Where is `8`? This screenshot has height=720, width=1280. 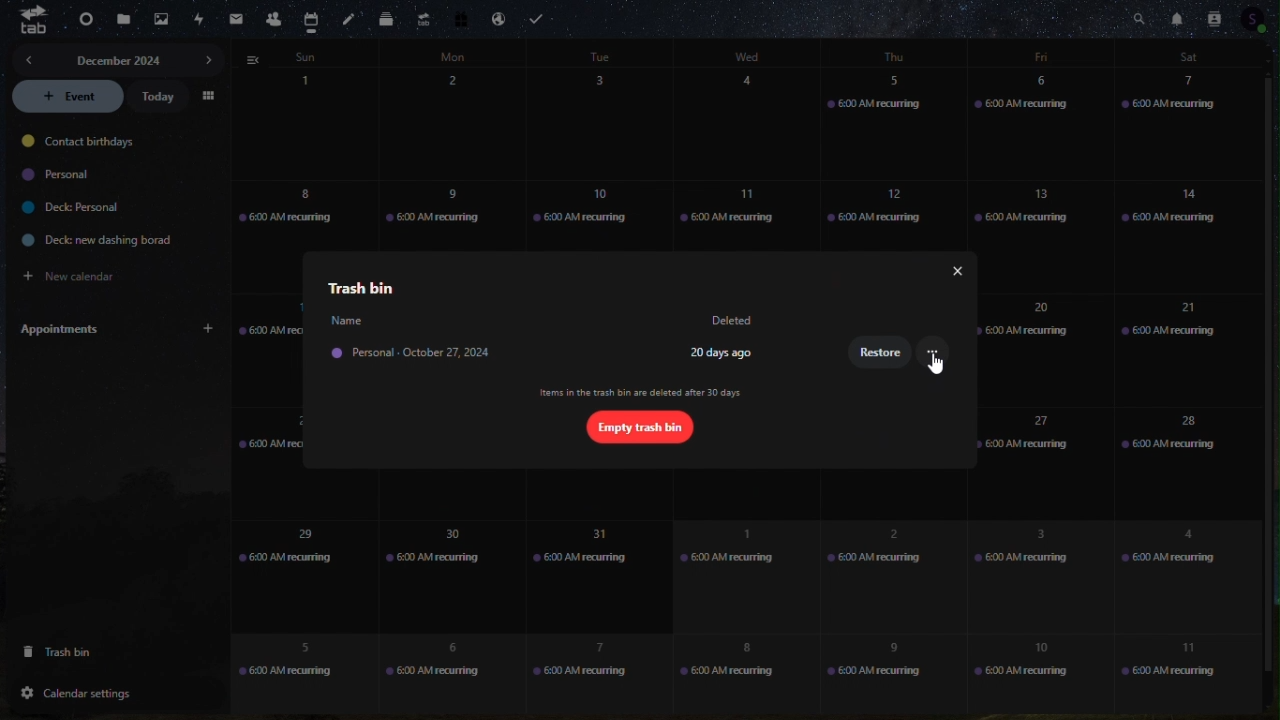
8 is located at coordinates (286, 212).